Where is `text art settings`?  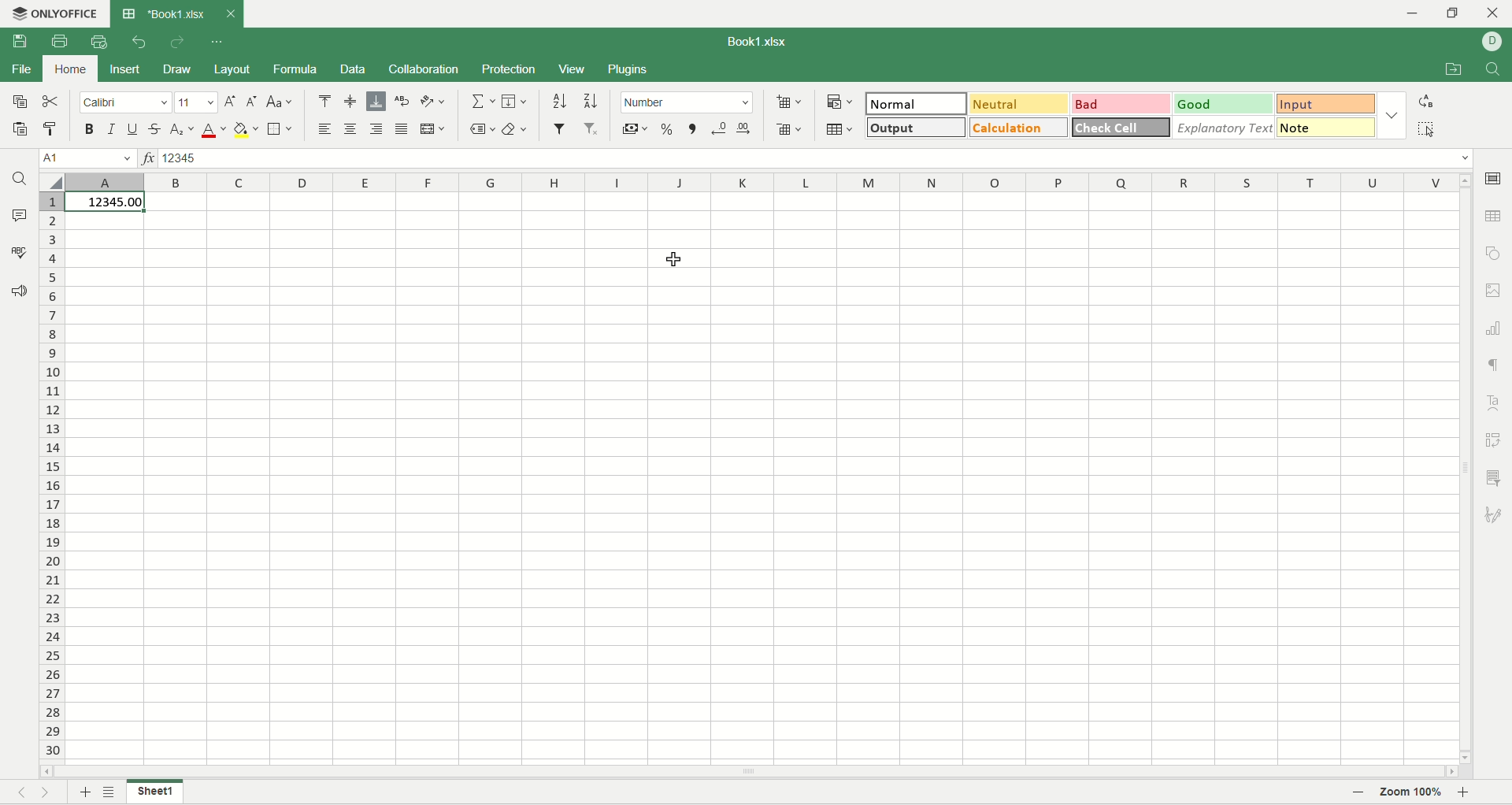 text art settings is located at coordinates (1495, 402).